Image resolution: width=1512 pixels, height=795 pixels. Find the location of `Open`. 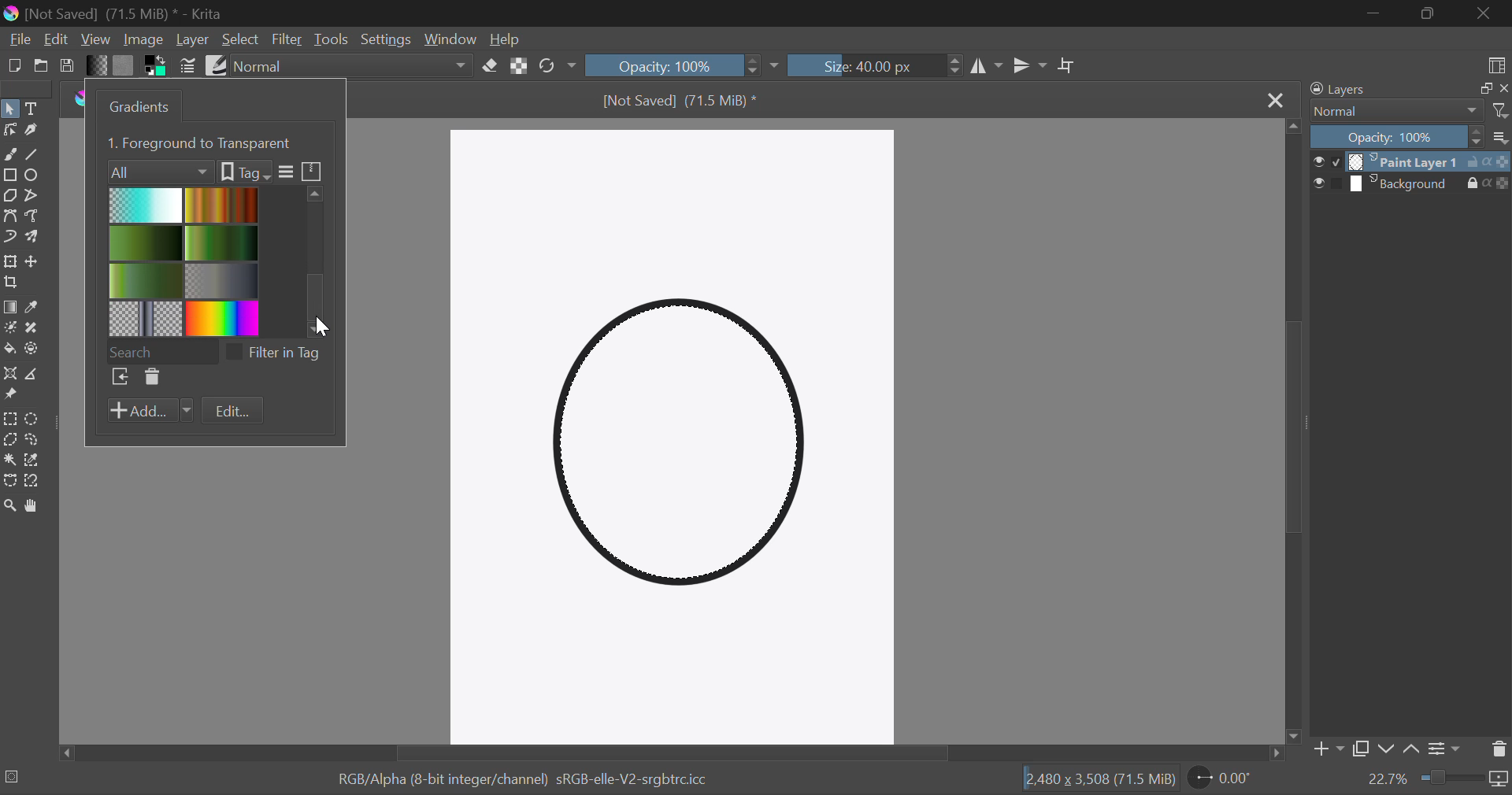

Open is located at coordinates (41, 66).